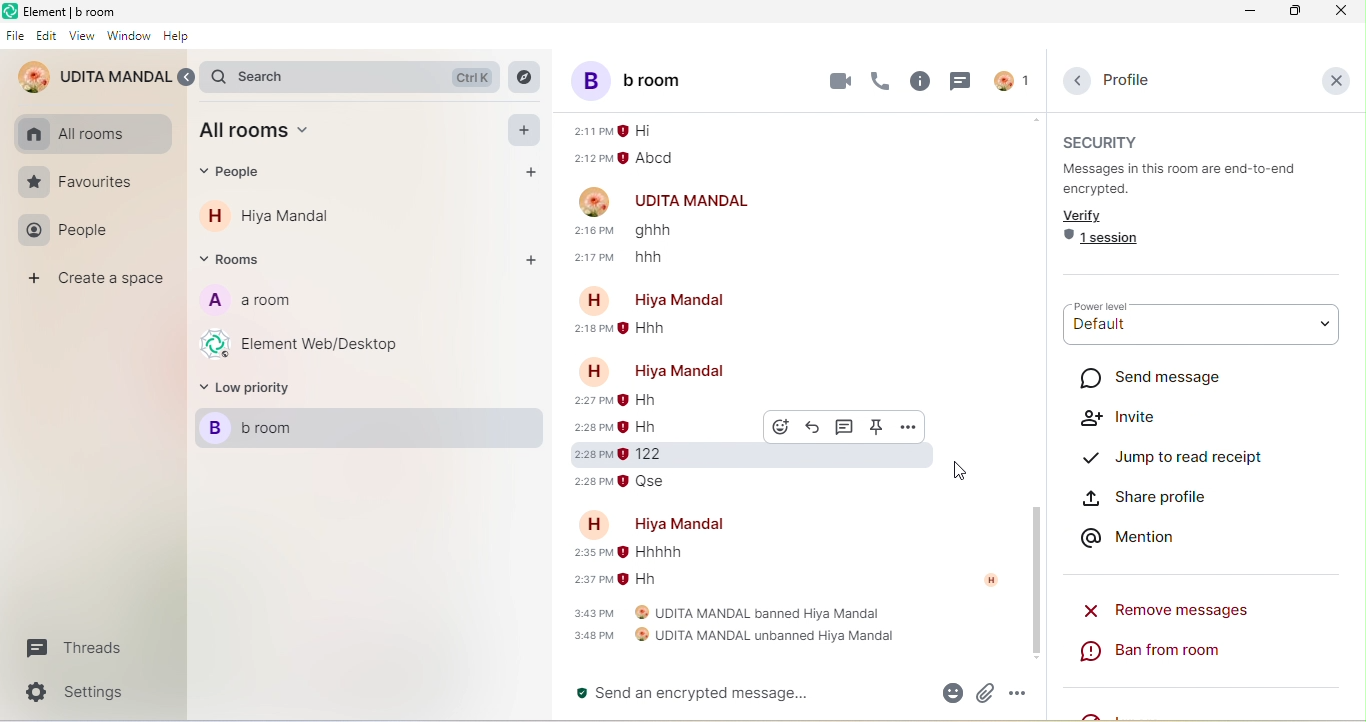 The image size is (1366, 722). Describe the element at coordinates (840, 80) in the screenshot. I see `video call` at that location.